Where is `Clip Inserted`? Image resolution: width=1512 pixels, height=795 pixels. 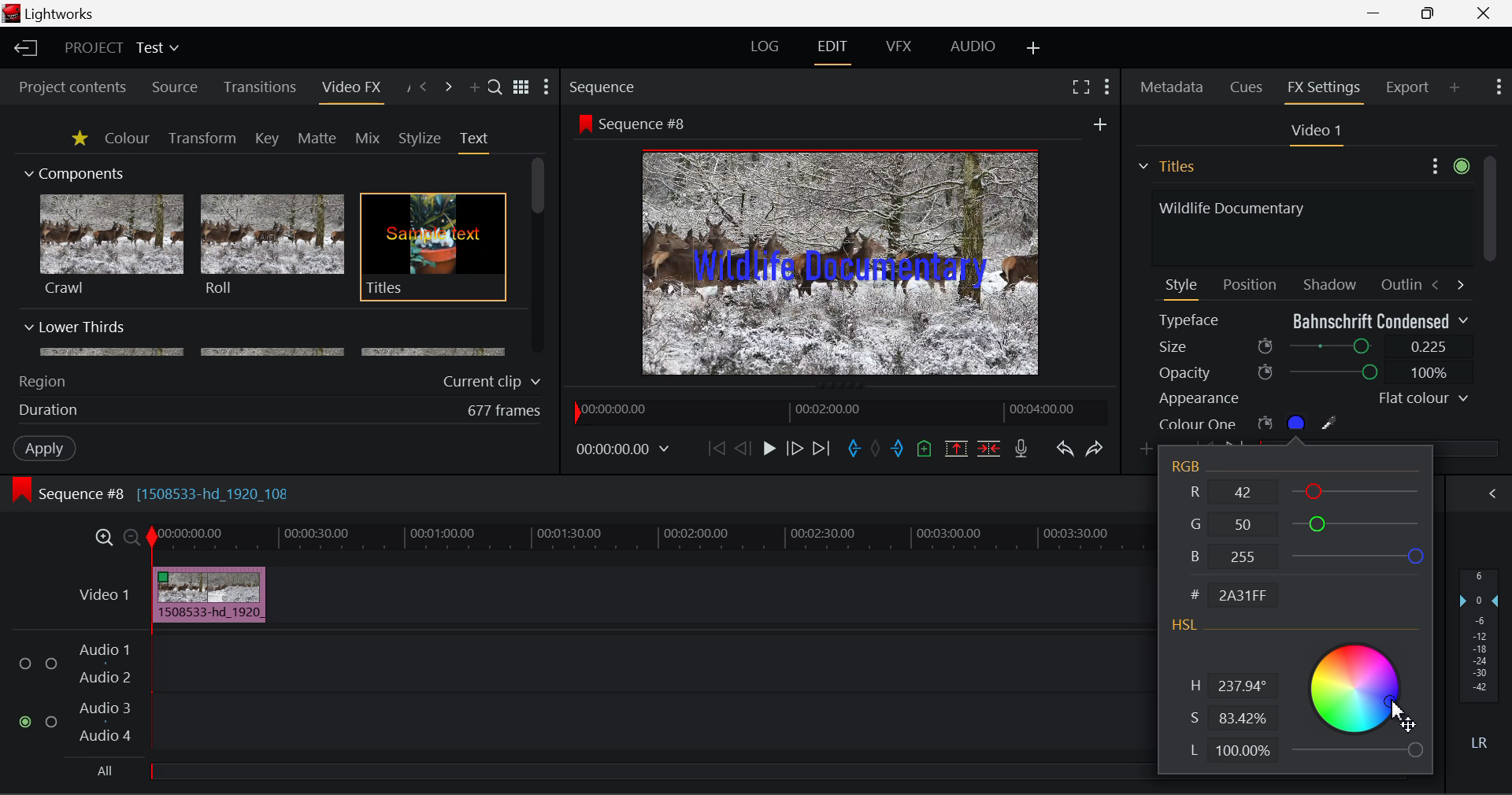
Clip Inserted is located at coordinates (205, 595).